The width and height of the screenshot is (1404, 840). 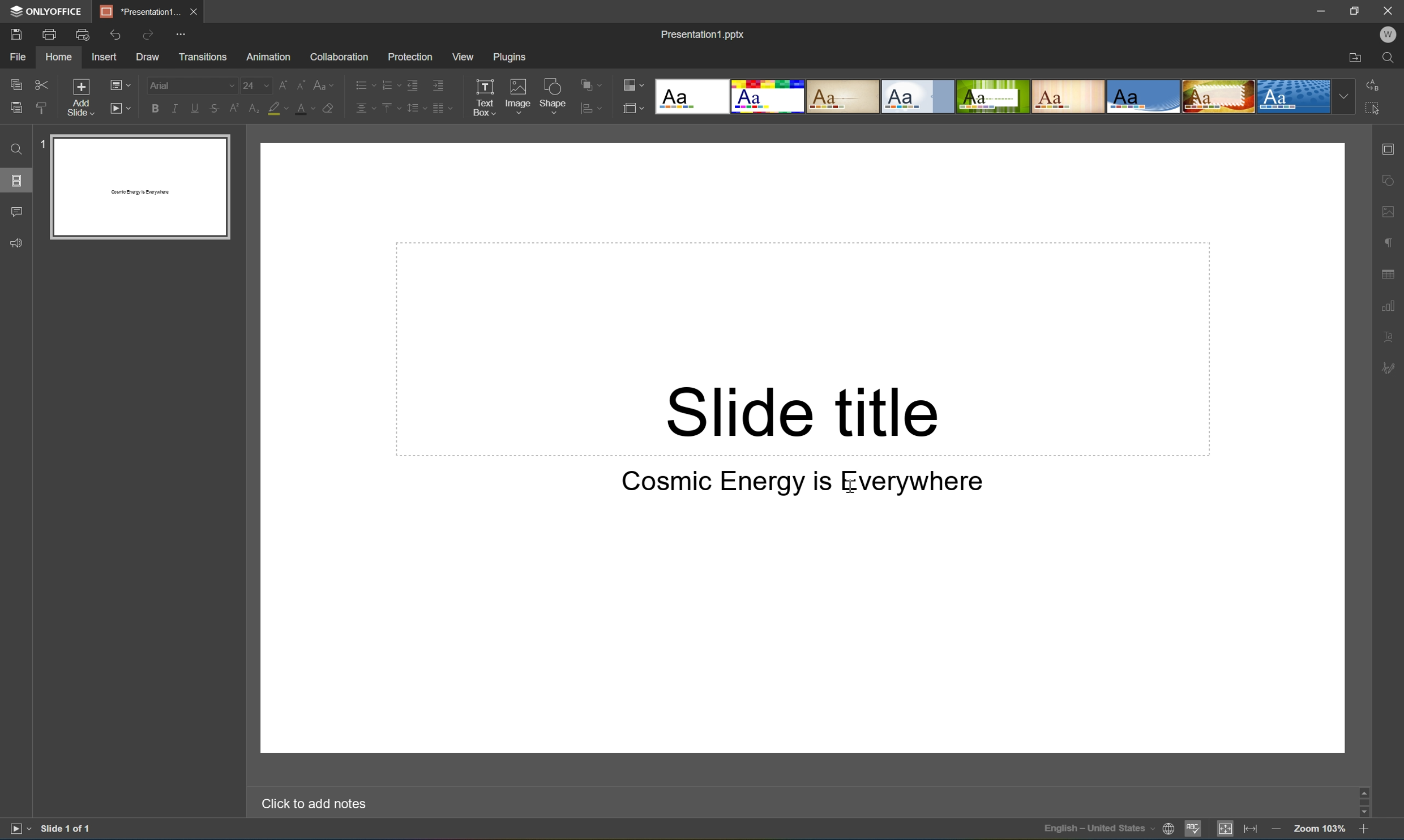 I want to click on Slide show, so click(x=18, y=831).